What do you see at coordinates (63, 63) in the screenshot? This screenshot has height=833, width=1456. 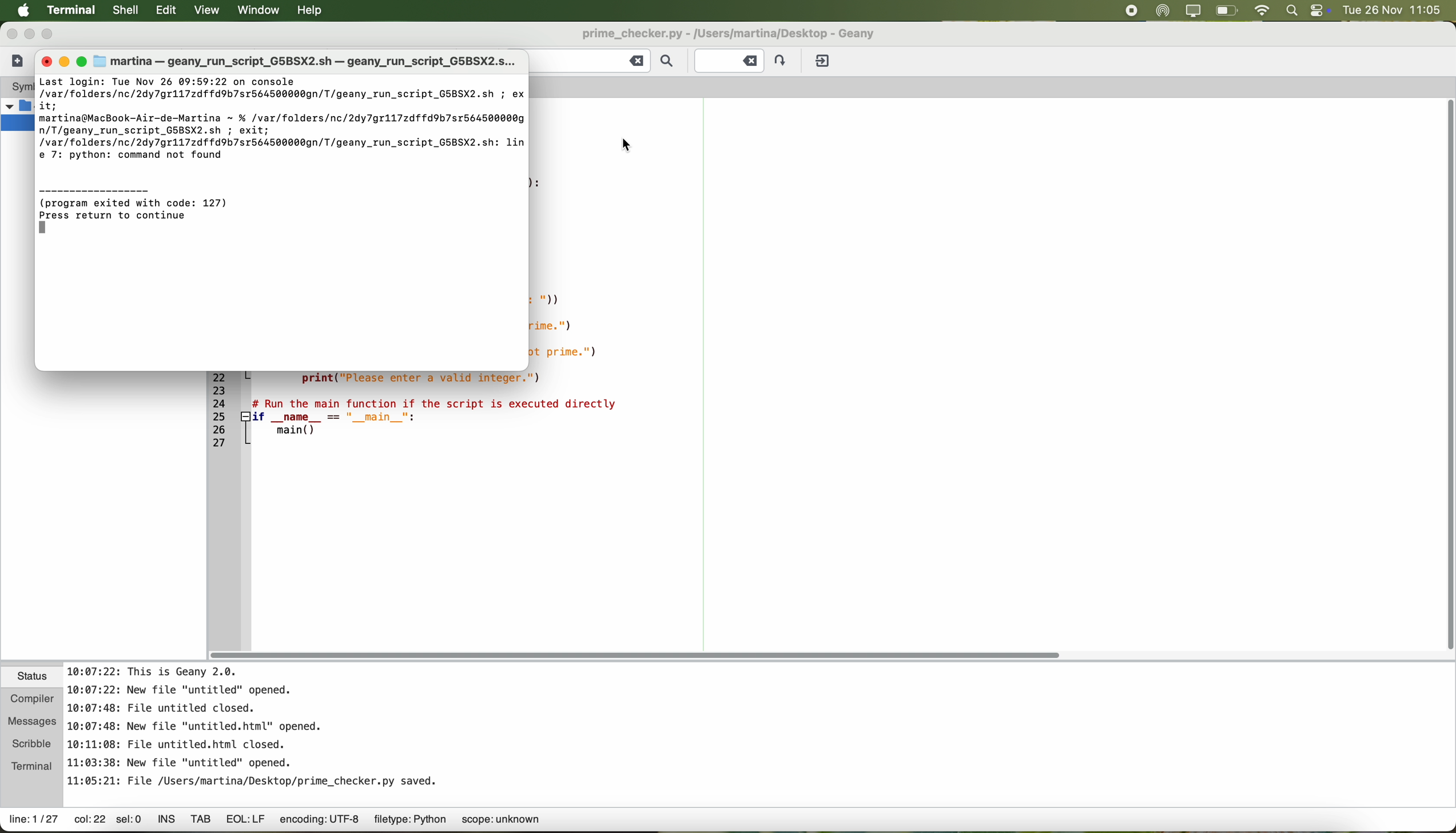 I see `minimize` at bounding box center [63, 63].